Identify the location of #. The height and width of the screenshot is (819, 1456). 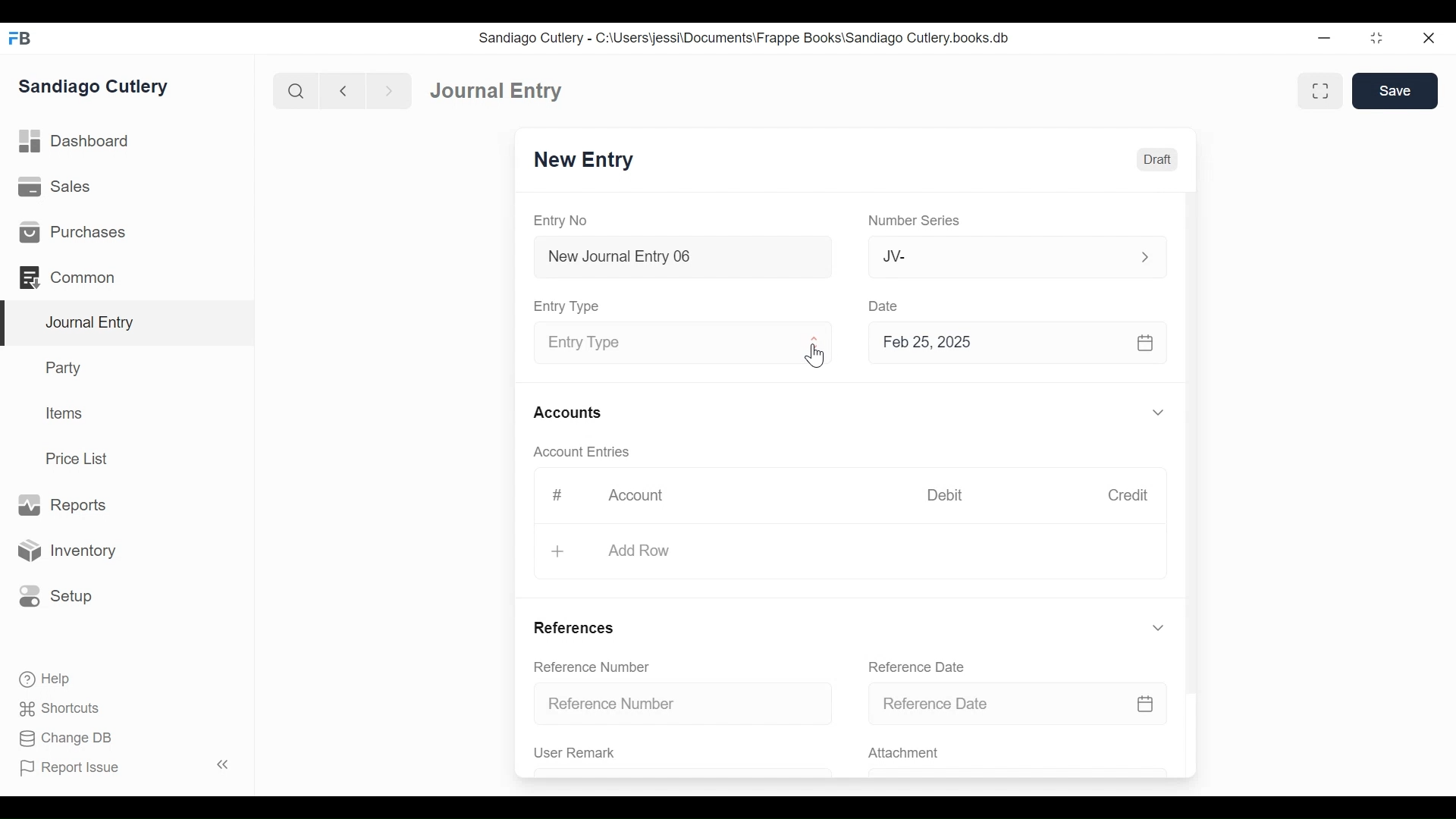
(557, 495).